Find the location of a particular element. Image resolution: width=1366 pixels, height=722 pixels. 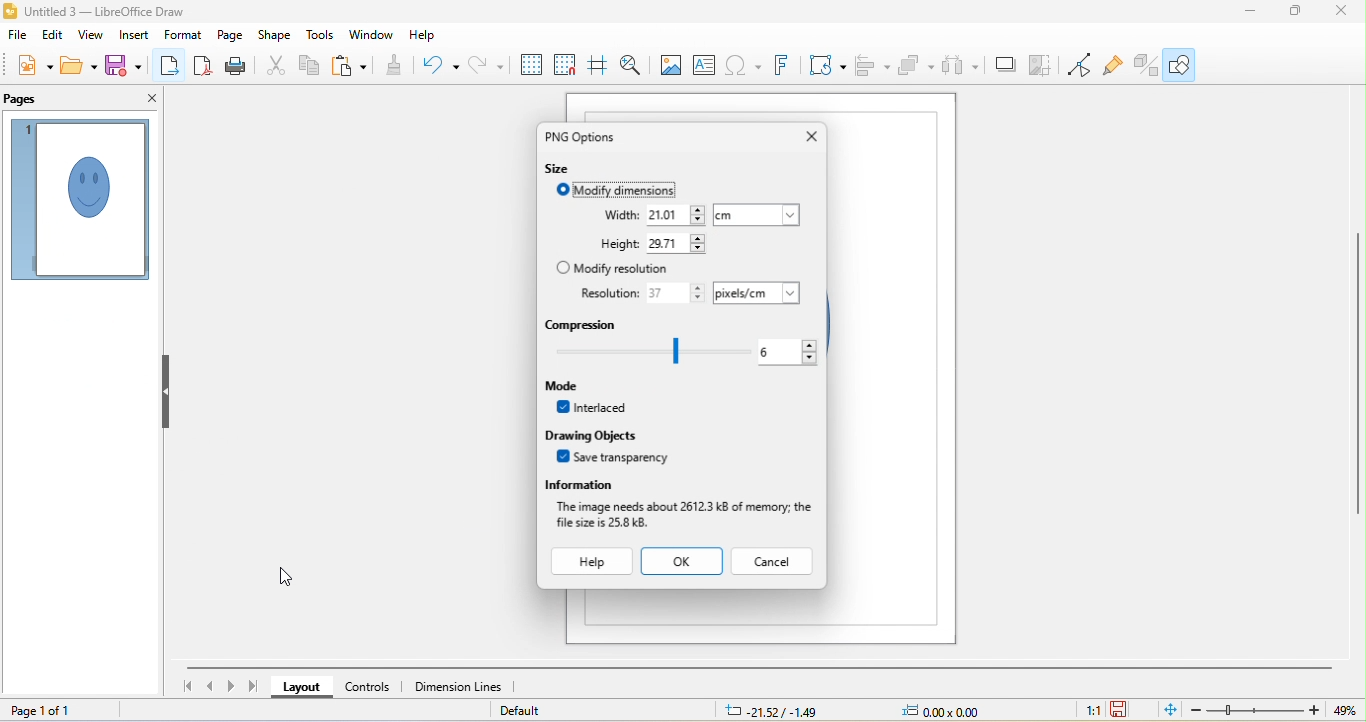

tools is located at coordinates (321, 35).